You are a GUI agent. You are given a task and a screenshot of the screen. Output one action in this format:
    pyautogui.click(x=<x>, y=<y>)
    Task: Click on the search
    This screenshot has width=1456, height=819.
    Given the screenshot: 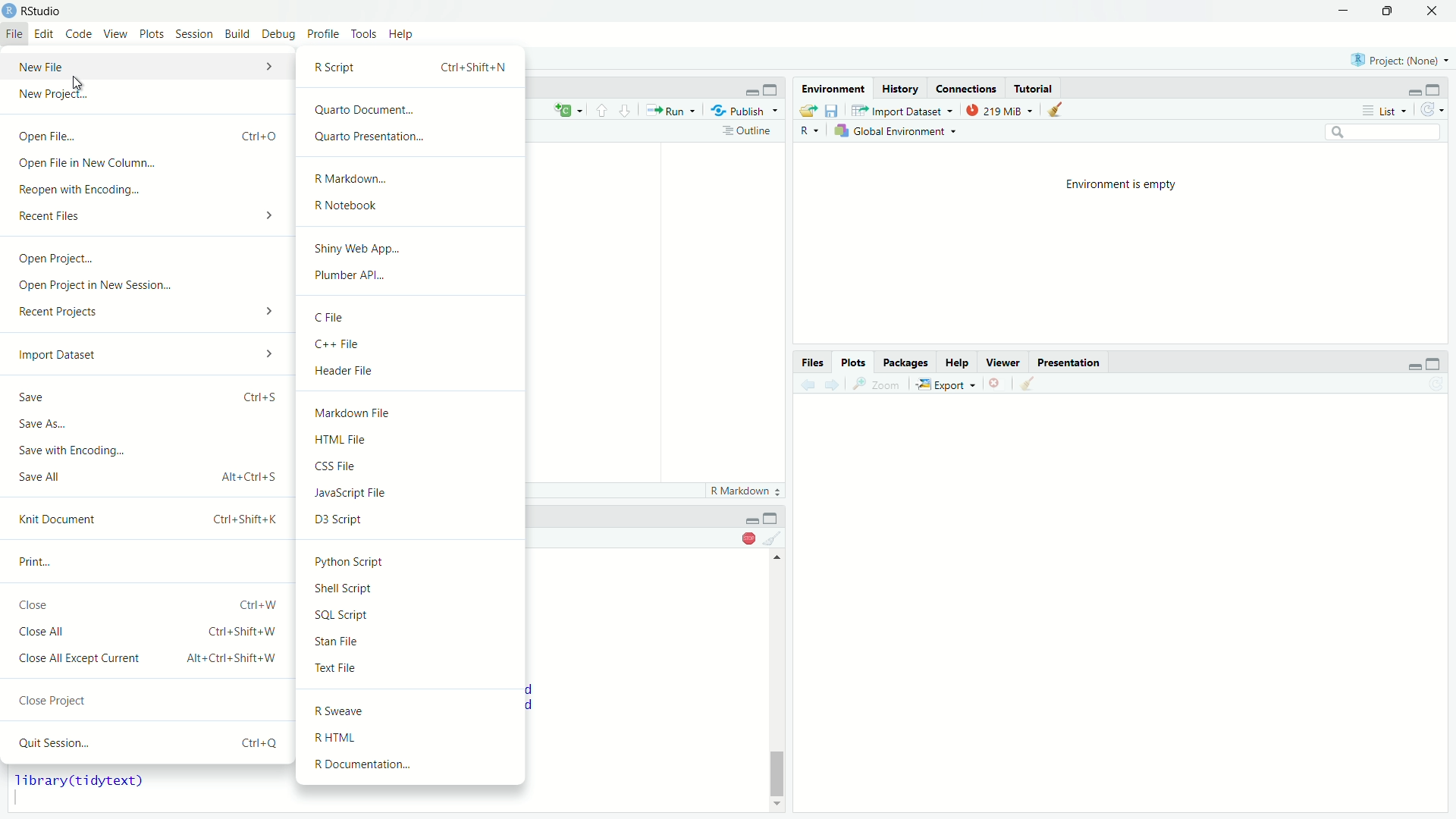 What is the action you would take?
    pyautogui.click(x=1385, y=132)
    